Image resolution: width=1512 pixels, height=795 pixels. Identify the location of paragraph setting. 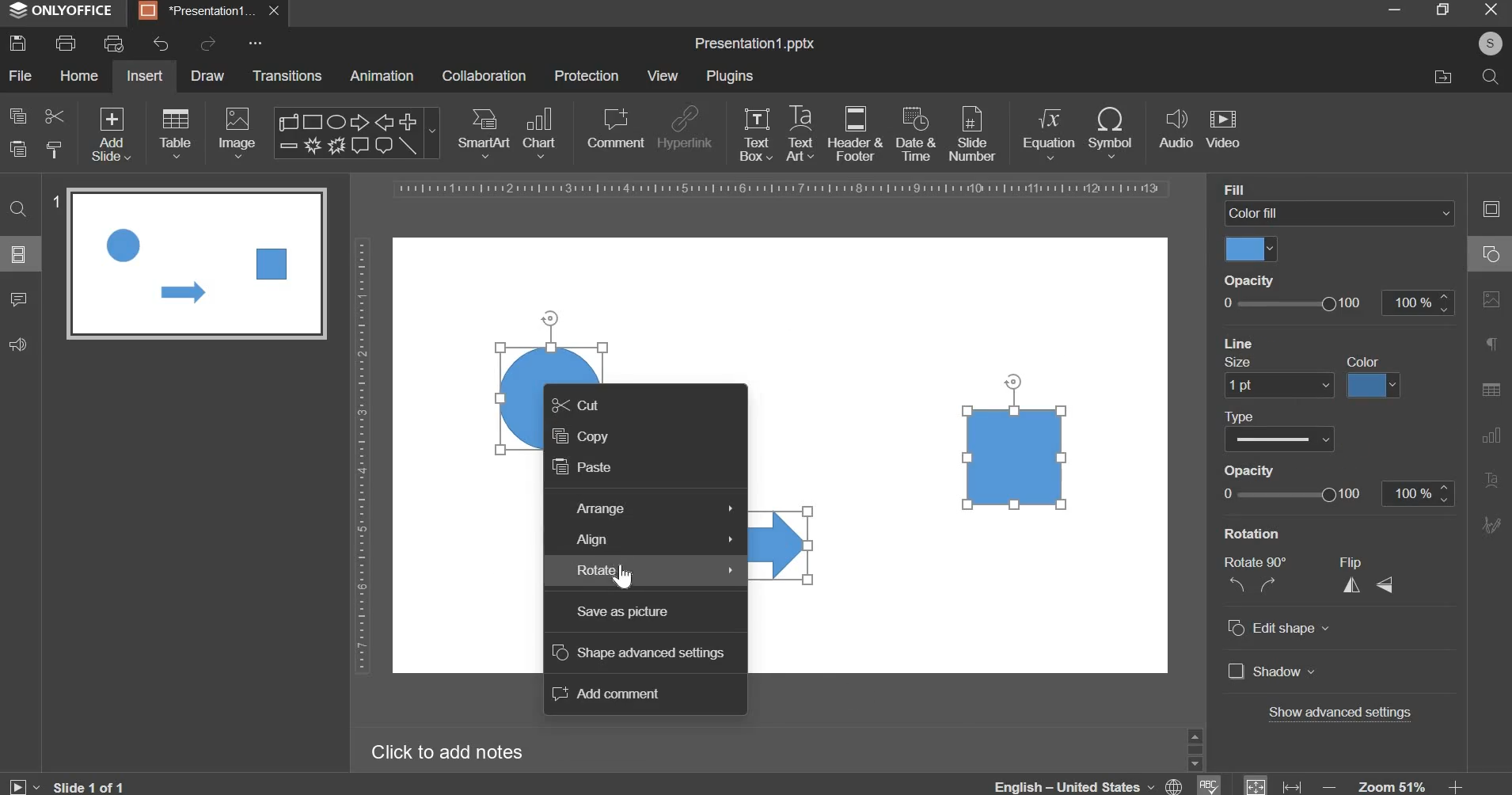
(1492, 346).